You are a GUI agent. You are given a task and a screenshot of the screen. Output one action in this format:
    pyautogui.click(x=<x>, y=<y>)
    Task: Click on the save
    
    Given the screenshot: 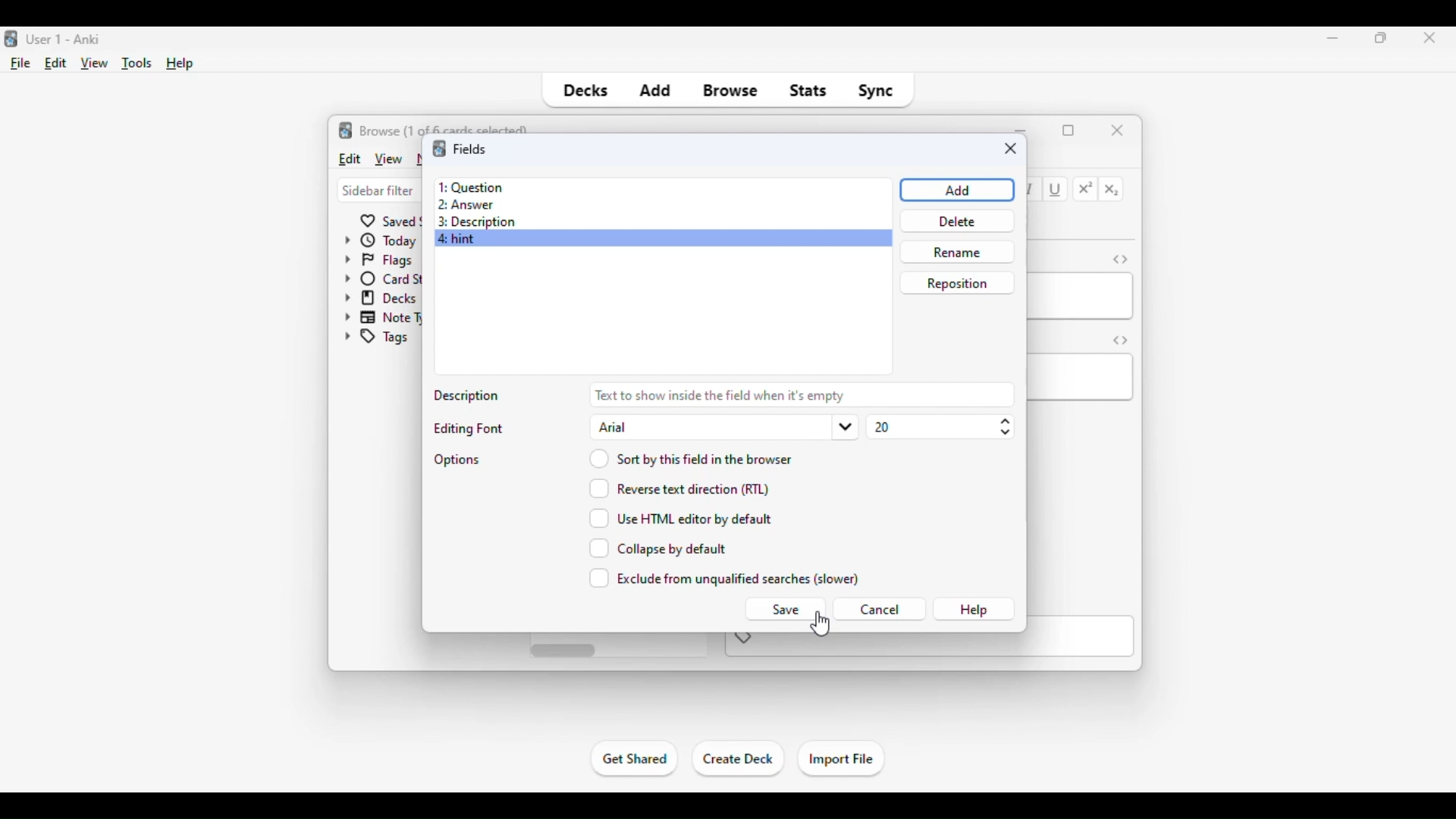 What is the action you would take?
    pyautogui.click(x=784, y=610)
    